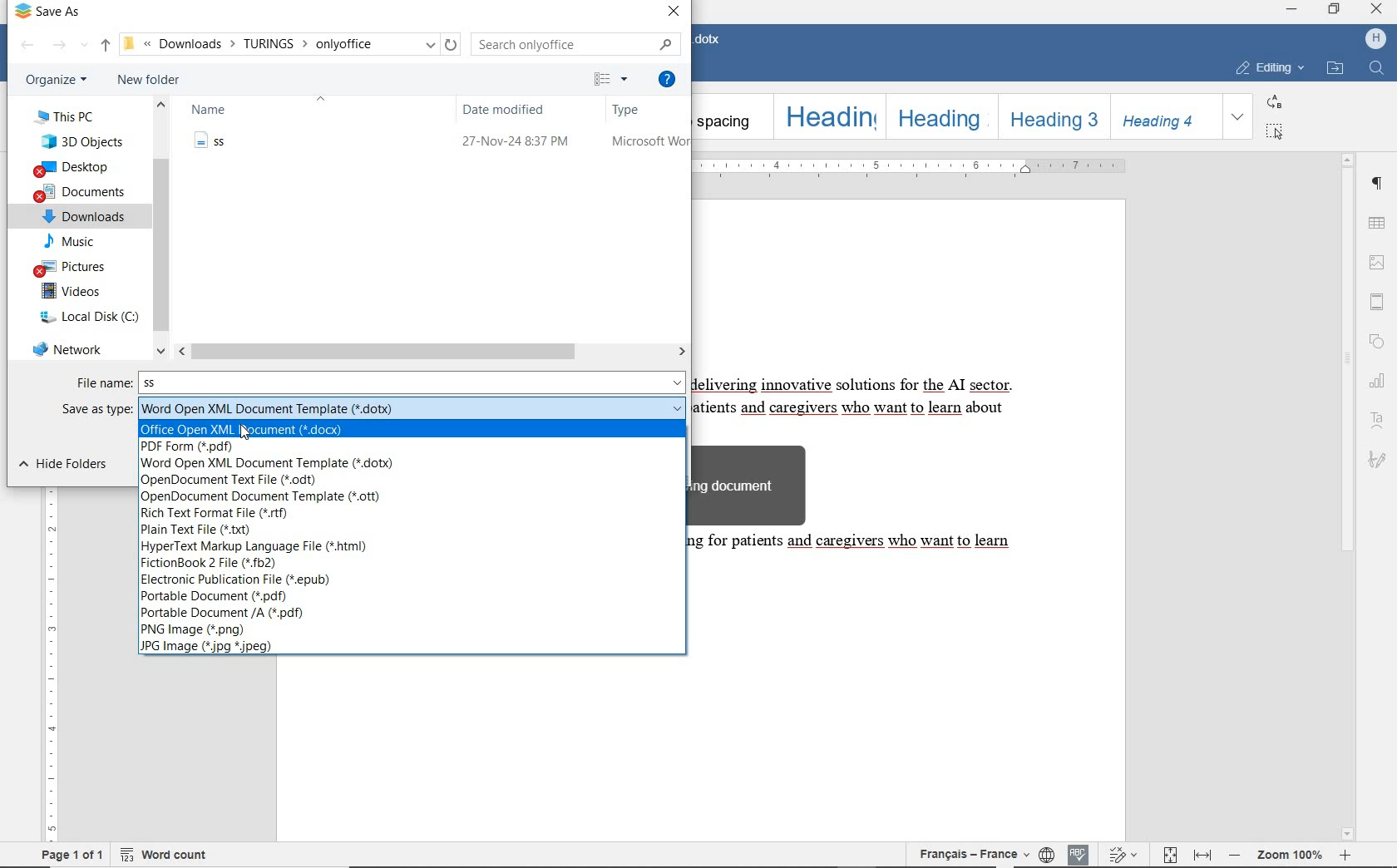 The height and width of the screenshot is (868, 1397). What do you see at coordinates (1379, 418) in the screenshot?
I see `TEXT ART` at bounding box center [1379, 418].